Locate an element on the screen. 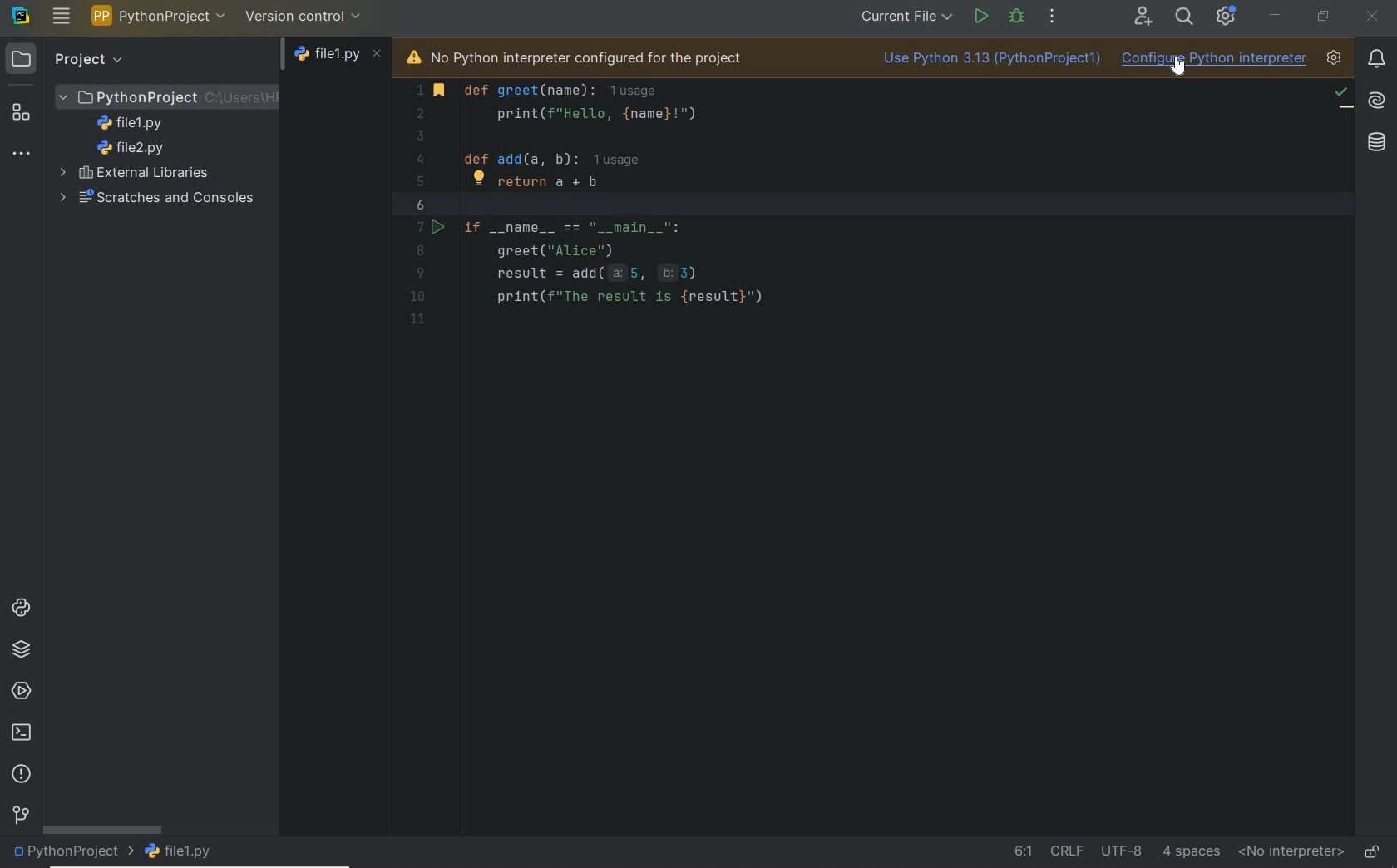  No python interpreter configured for the project is located at coordinates (600, 56).